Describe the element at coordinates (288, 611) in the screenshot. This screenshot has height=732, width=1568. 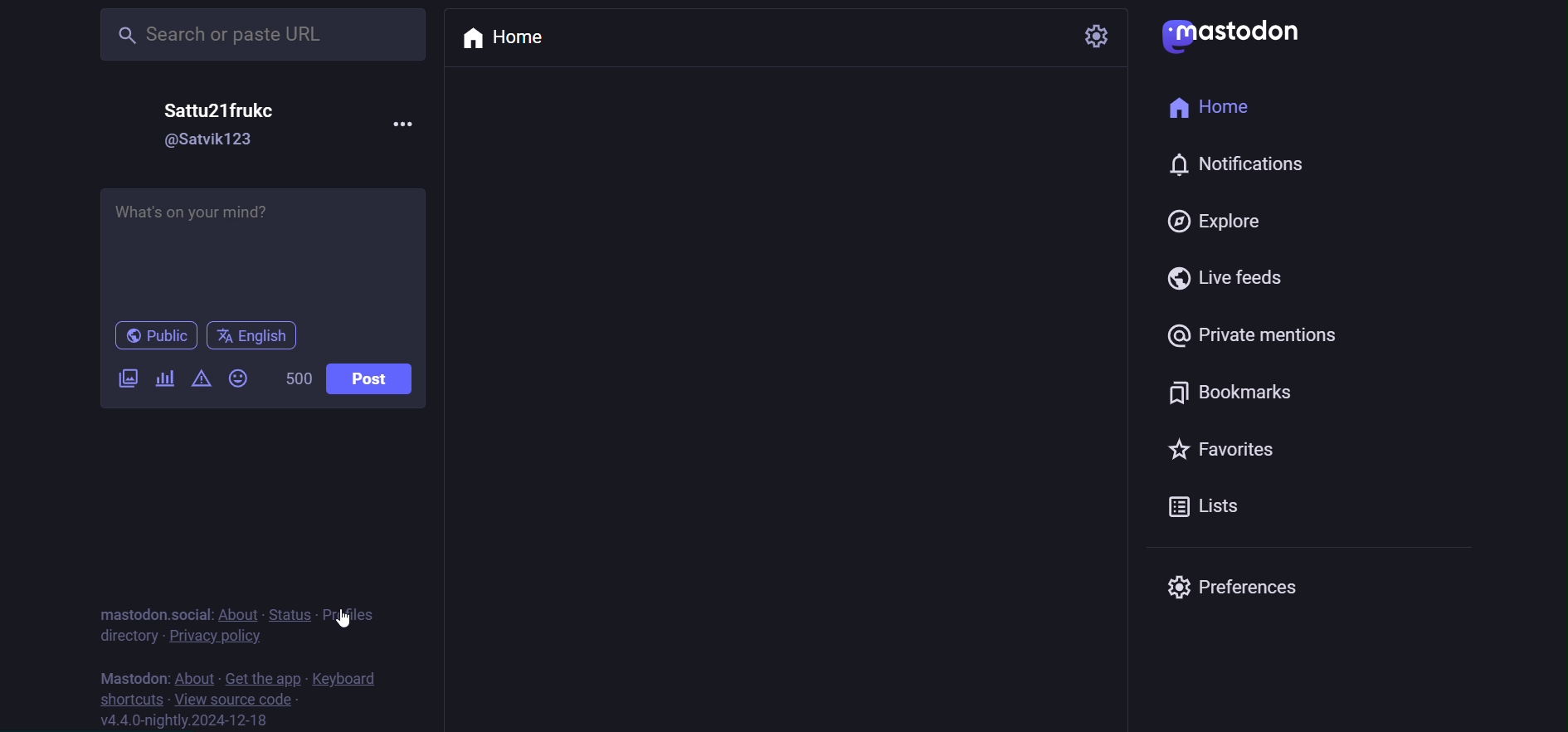
I see `status` at that location.